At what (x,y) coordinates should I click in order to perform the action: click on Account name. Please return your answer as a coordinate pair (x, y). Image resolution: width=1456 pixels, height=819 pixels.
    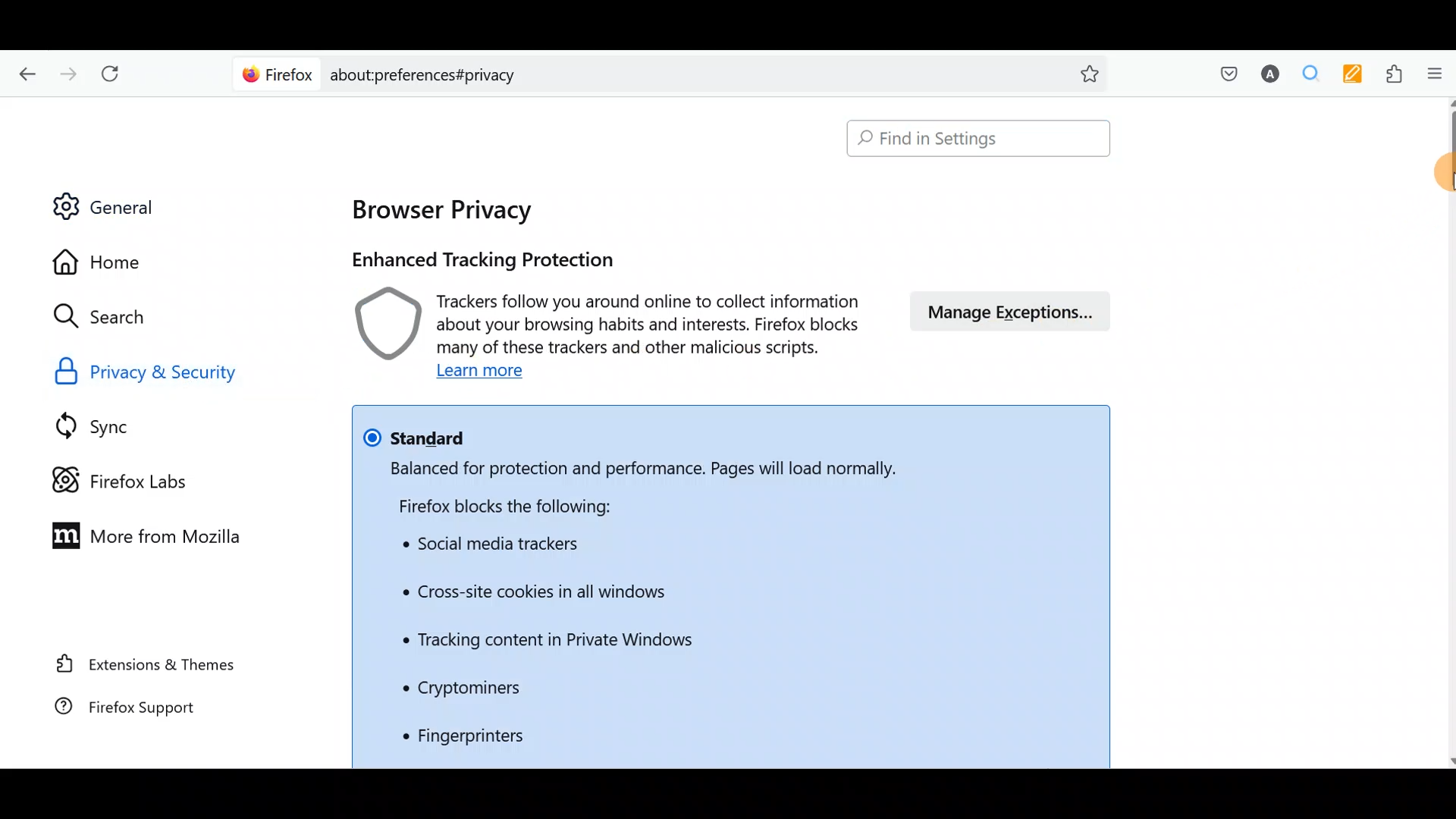
    Looking at the image, I should click on (1266, 76).